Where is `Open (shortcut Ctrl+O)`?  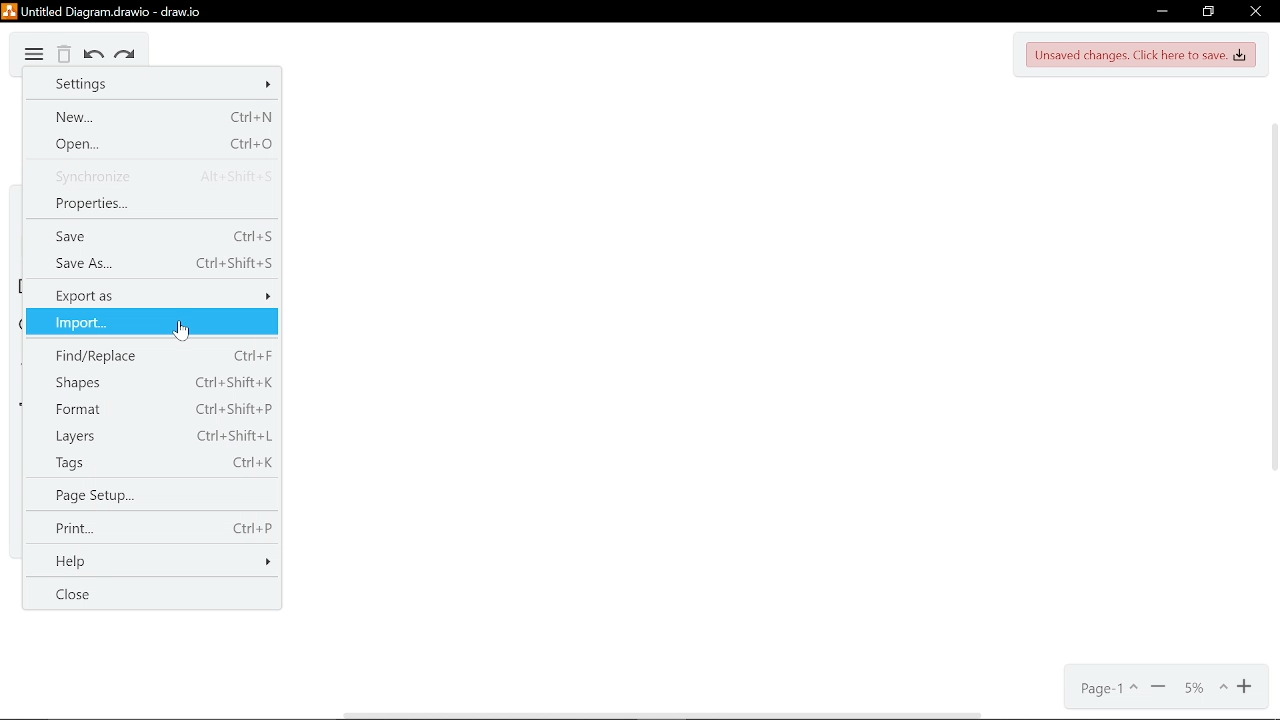
Open (shortcut Ctrl+O) is located at coordinates (155, 144).